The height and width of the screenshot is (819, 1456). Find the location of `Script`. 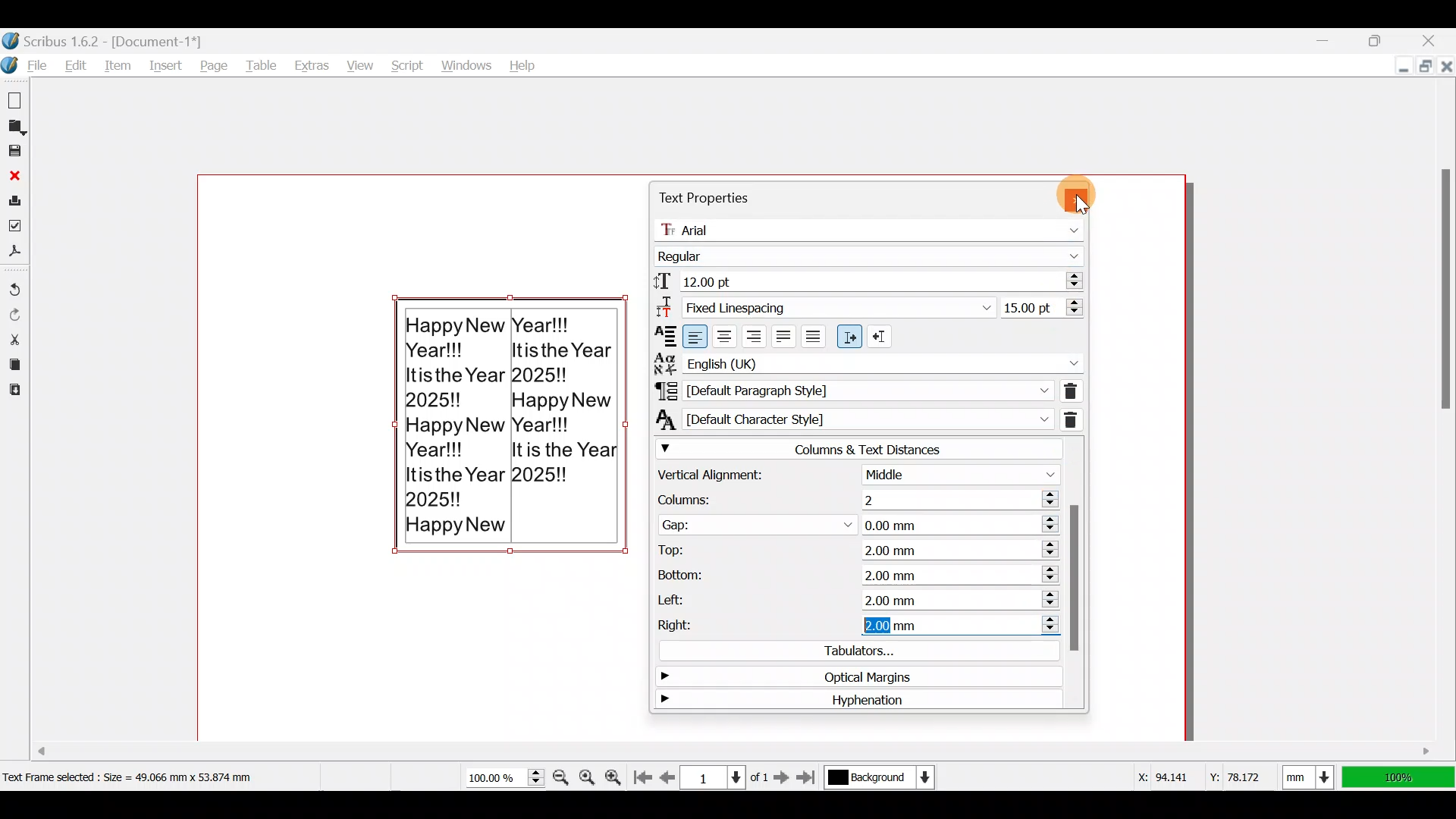

Script is located at coordinates (405, 61).